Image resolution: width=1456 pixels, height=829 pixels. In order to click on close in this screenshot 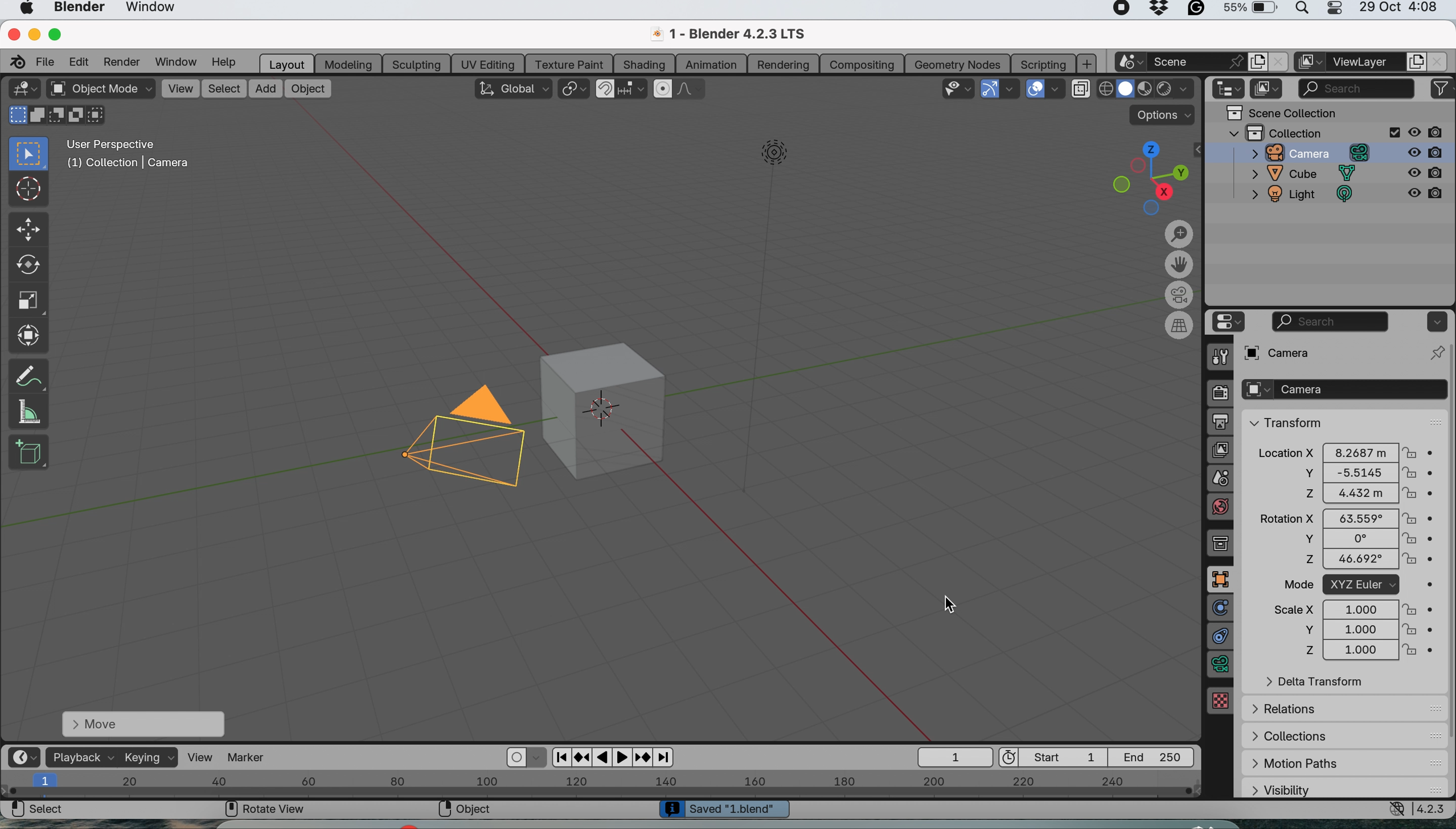, I will do `click(13, 33)`.